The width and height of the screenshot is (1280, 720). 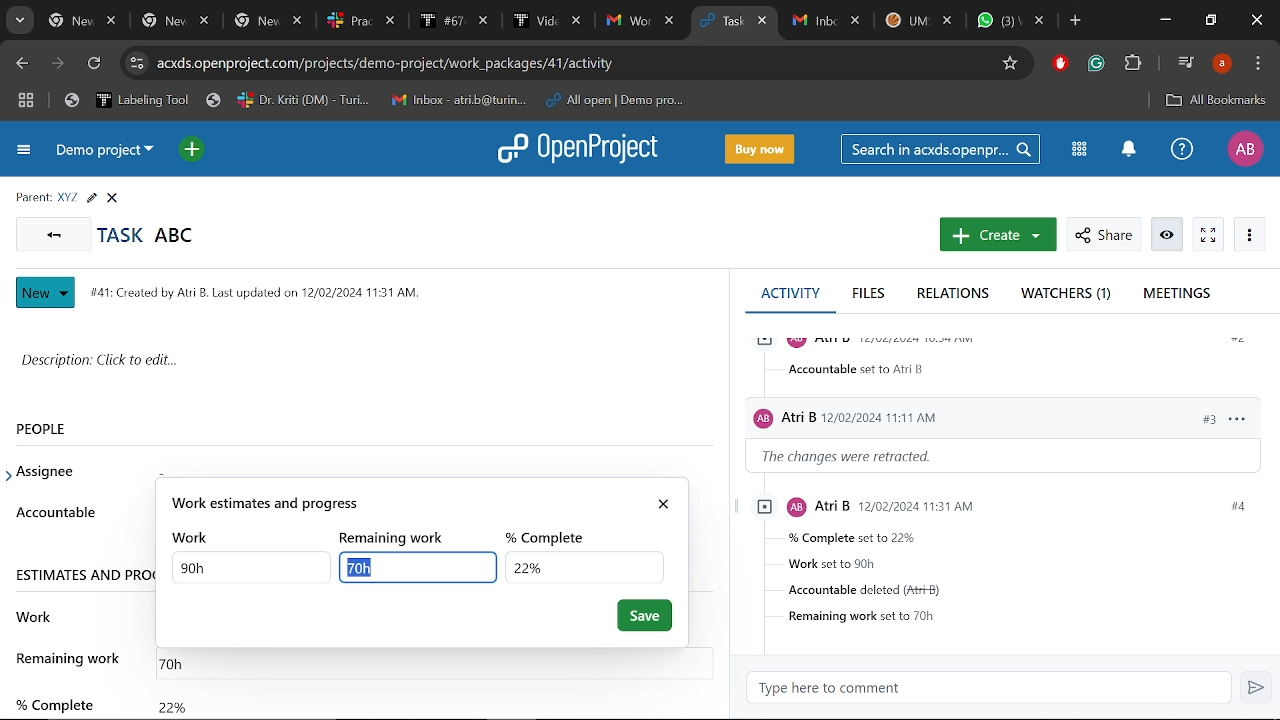 I want to click on Files, so click(x=870, y=295).